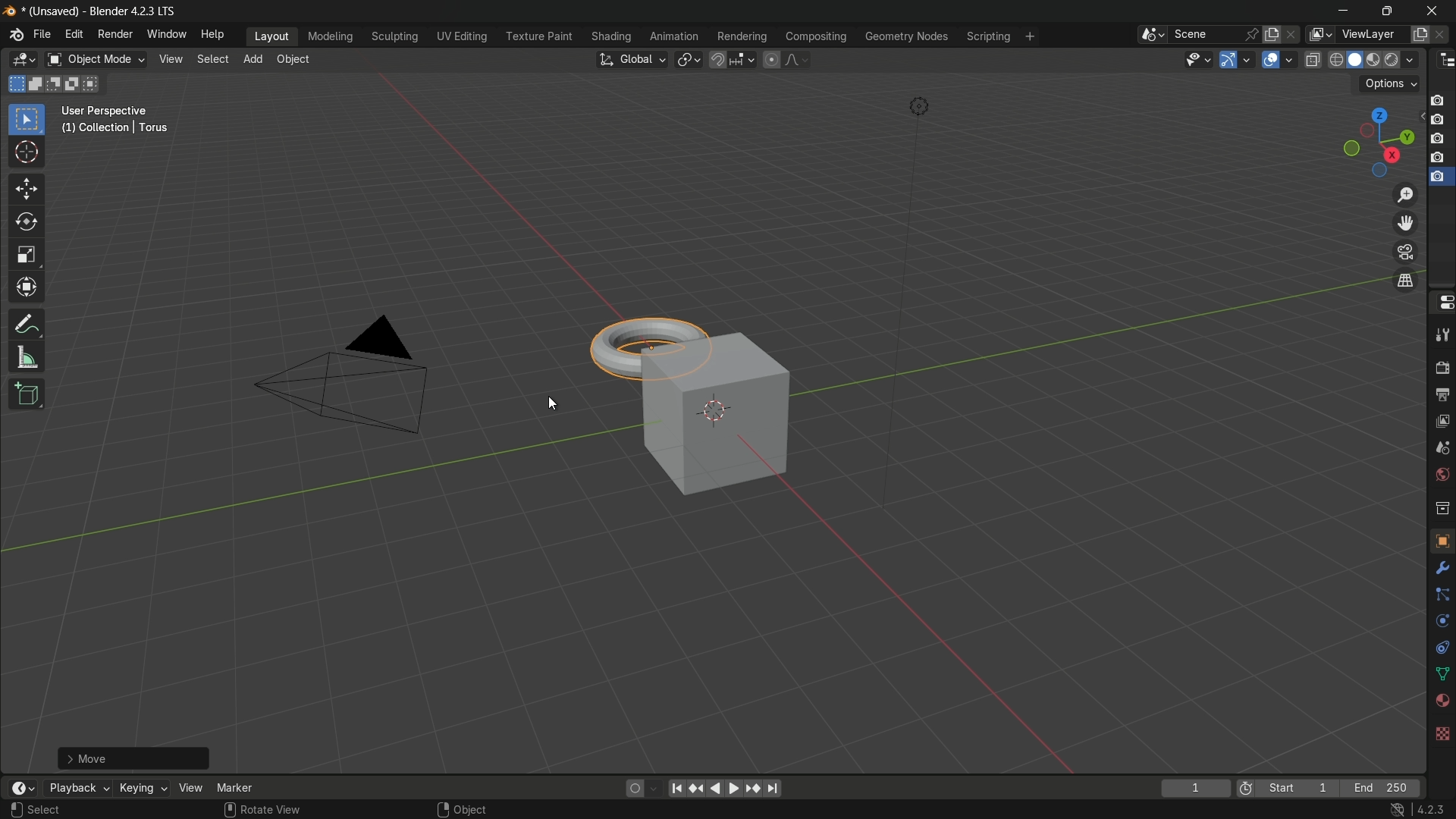  I want to click on scripting, so click(988, 37).